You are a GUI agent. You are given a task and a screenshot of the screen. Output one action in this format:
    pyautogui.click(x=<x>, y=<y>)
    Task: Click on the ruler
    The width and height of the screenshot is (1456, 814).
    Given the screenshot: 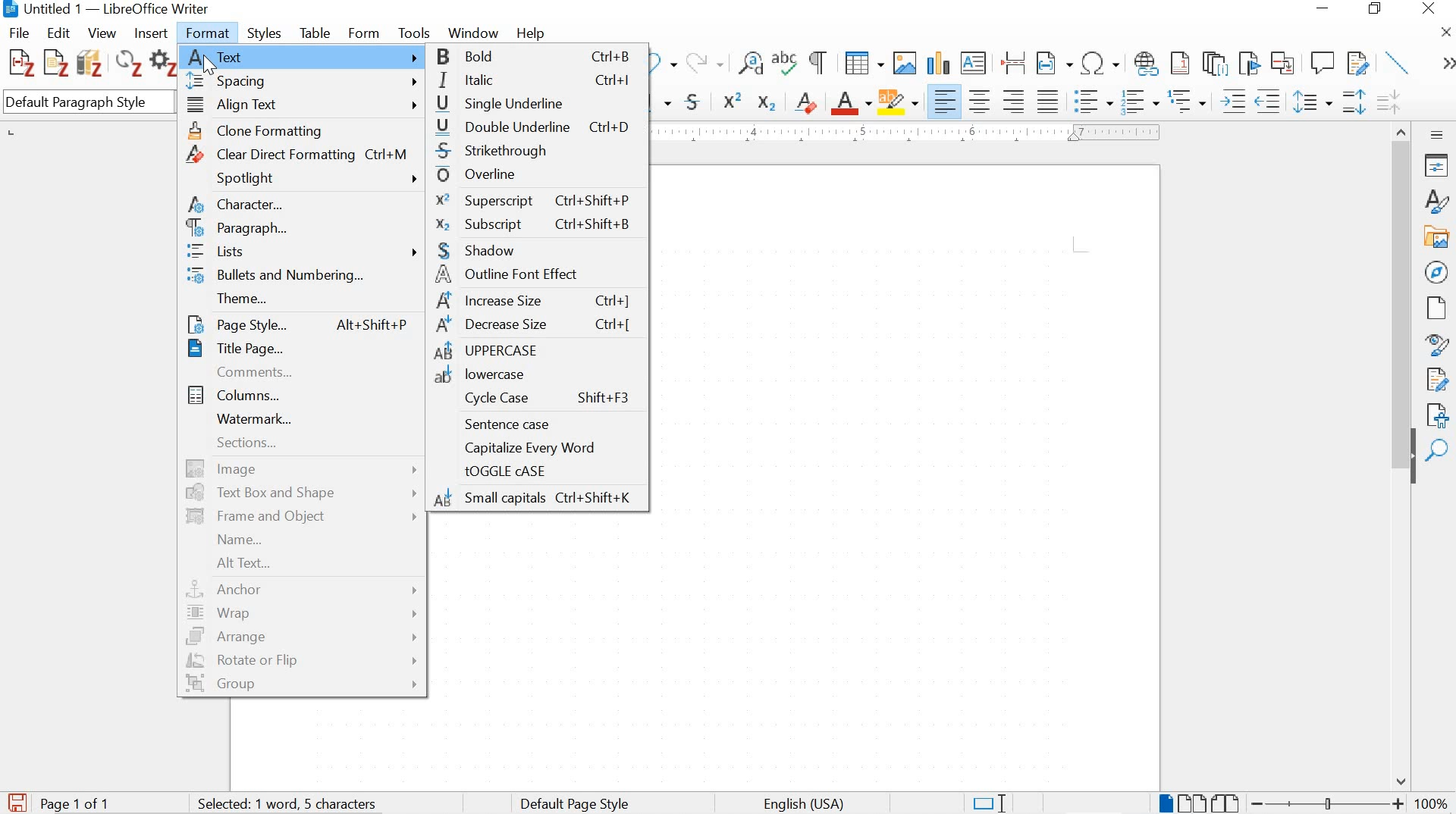 What is the action you would take?
    pyautogui.click(x=914, y=133)
    